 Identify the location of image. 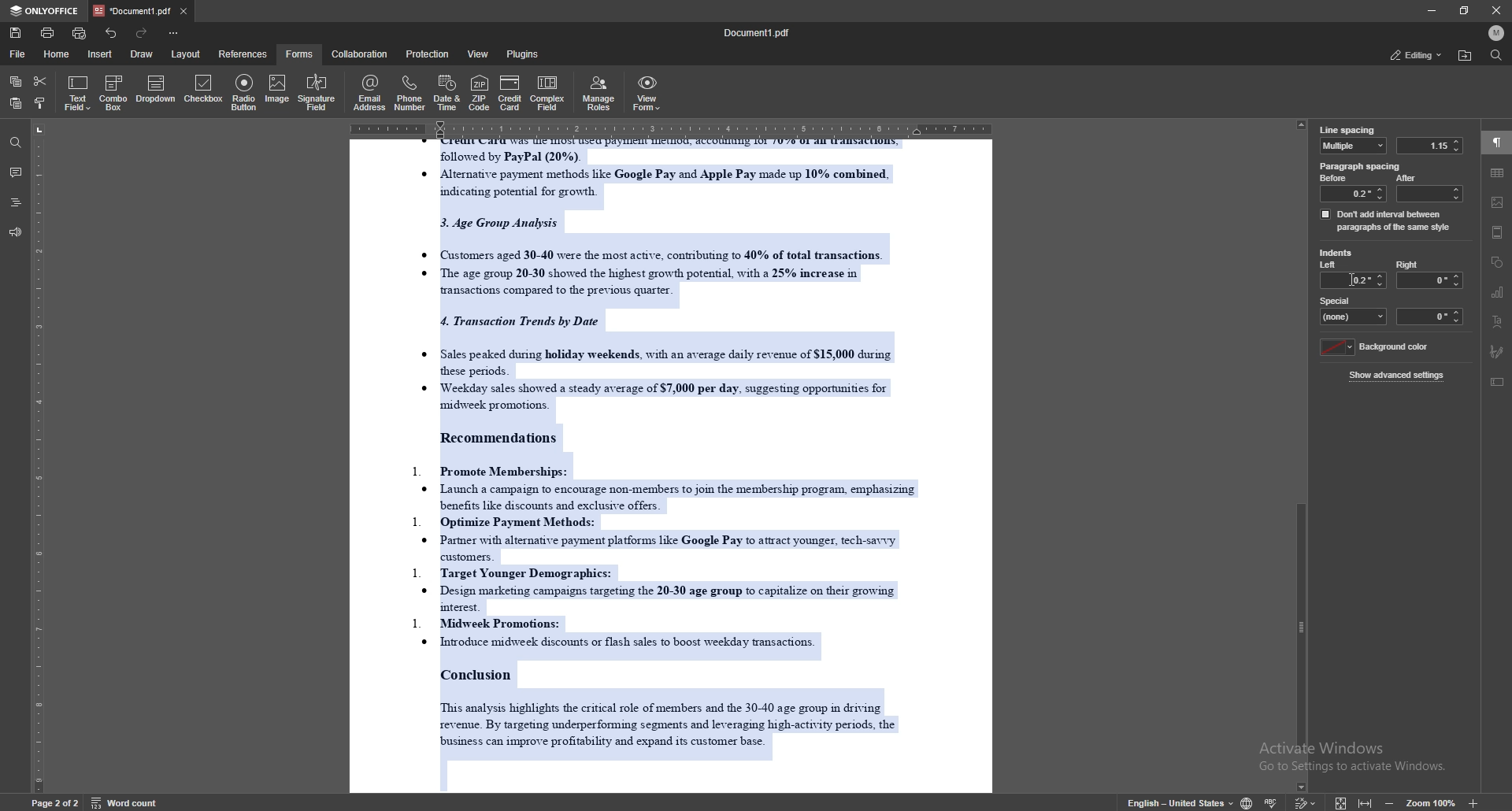
(276, 91).